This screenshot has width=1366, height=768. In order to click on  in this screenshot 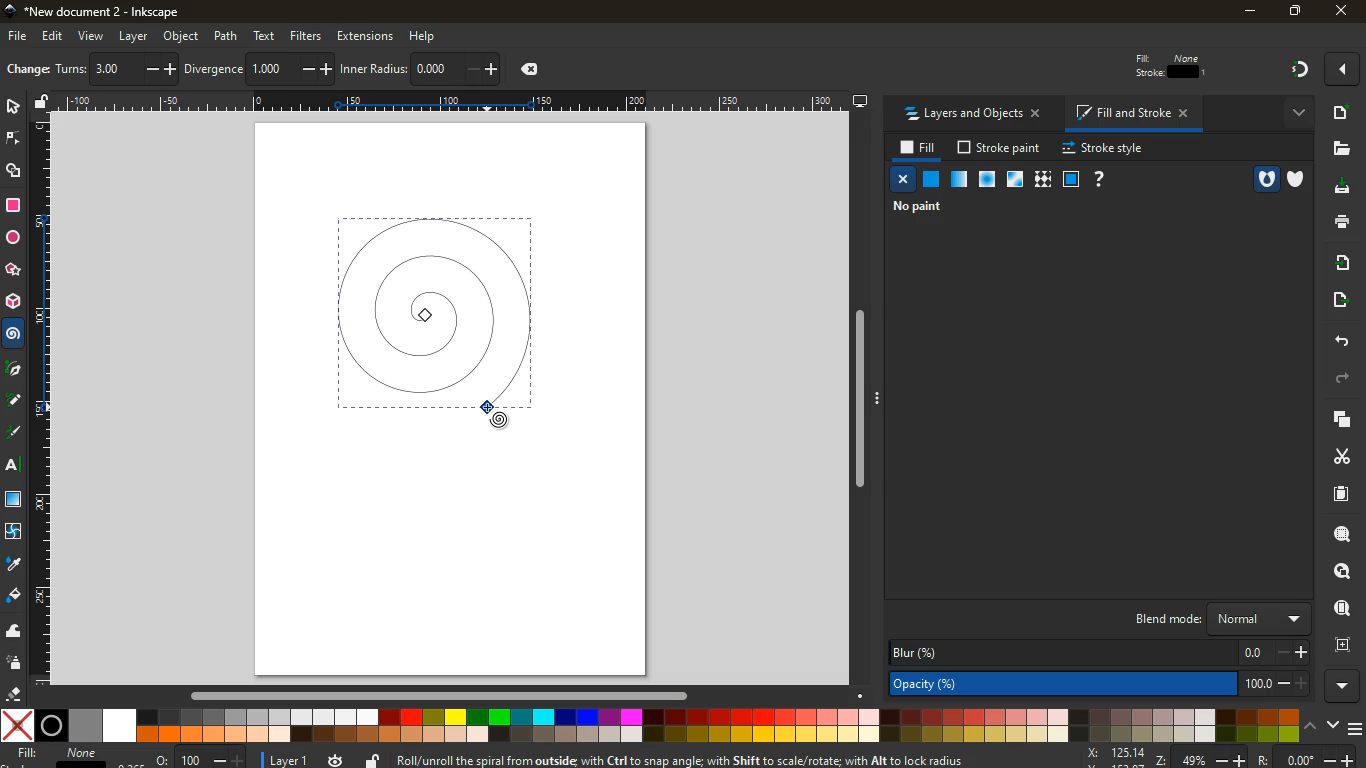, I will do `click(1346, 688)`.